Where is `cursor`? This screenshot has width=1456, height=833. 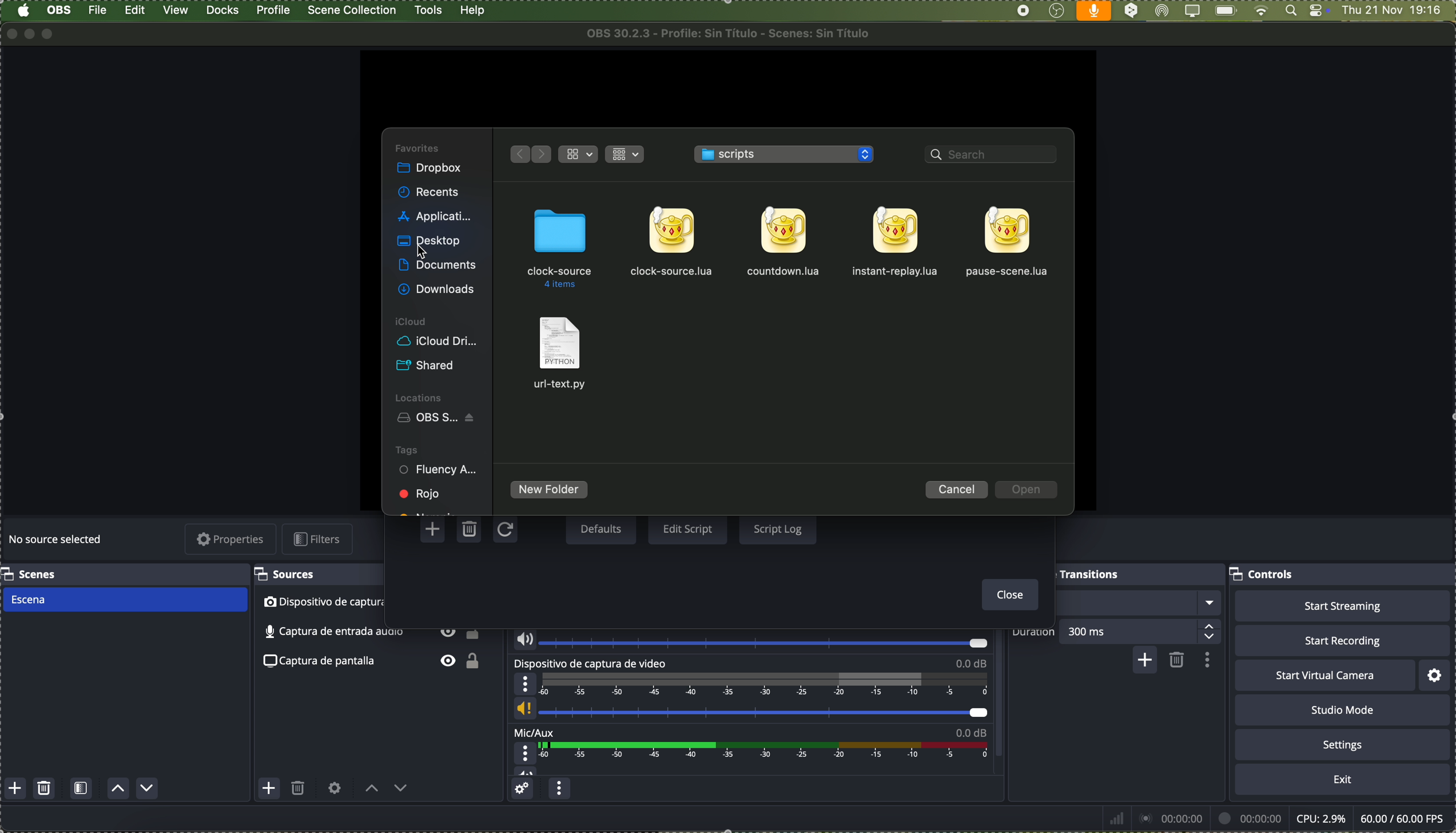
cursor is located at coordinates (421, 252).